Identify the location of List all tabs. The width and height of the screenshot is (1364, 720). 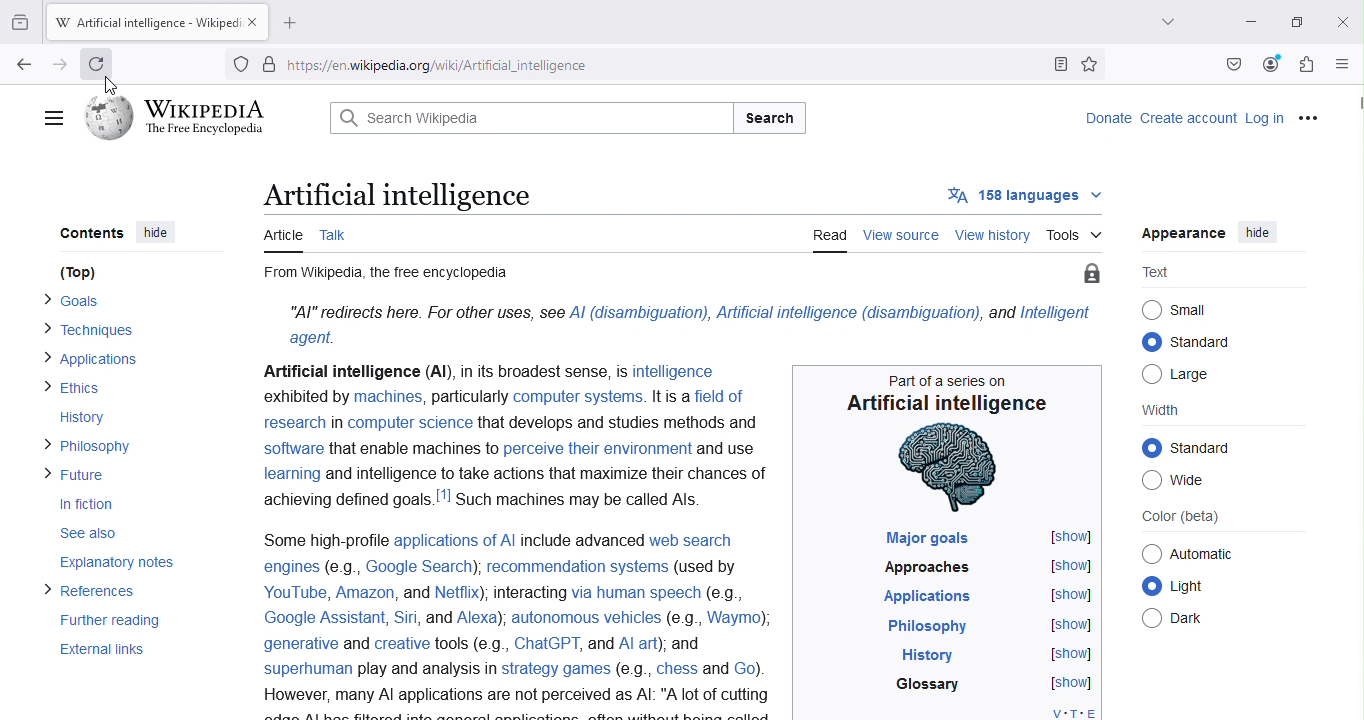
(1159, 26).